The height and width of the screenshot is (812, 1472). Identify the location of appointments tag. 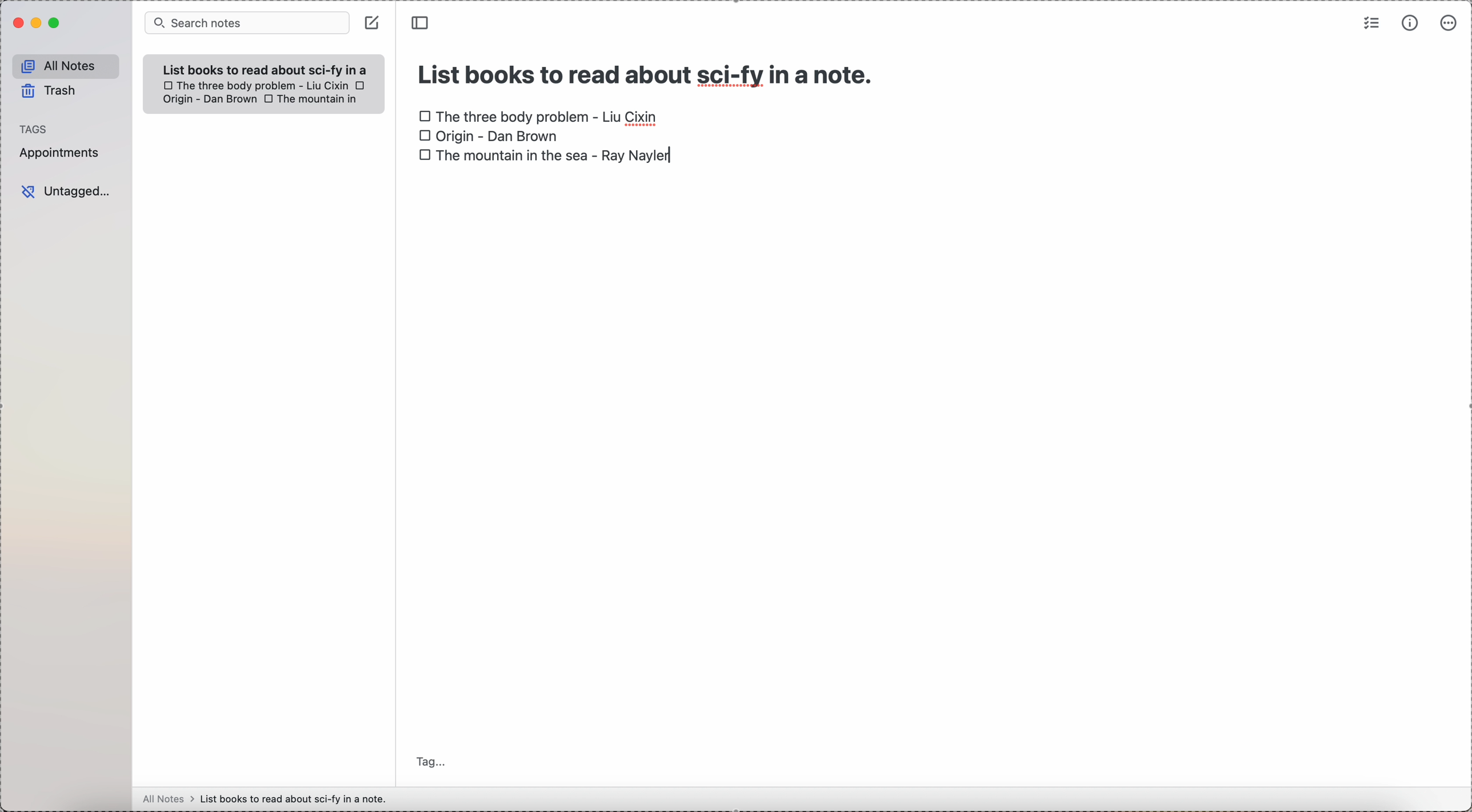
(60, 154).